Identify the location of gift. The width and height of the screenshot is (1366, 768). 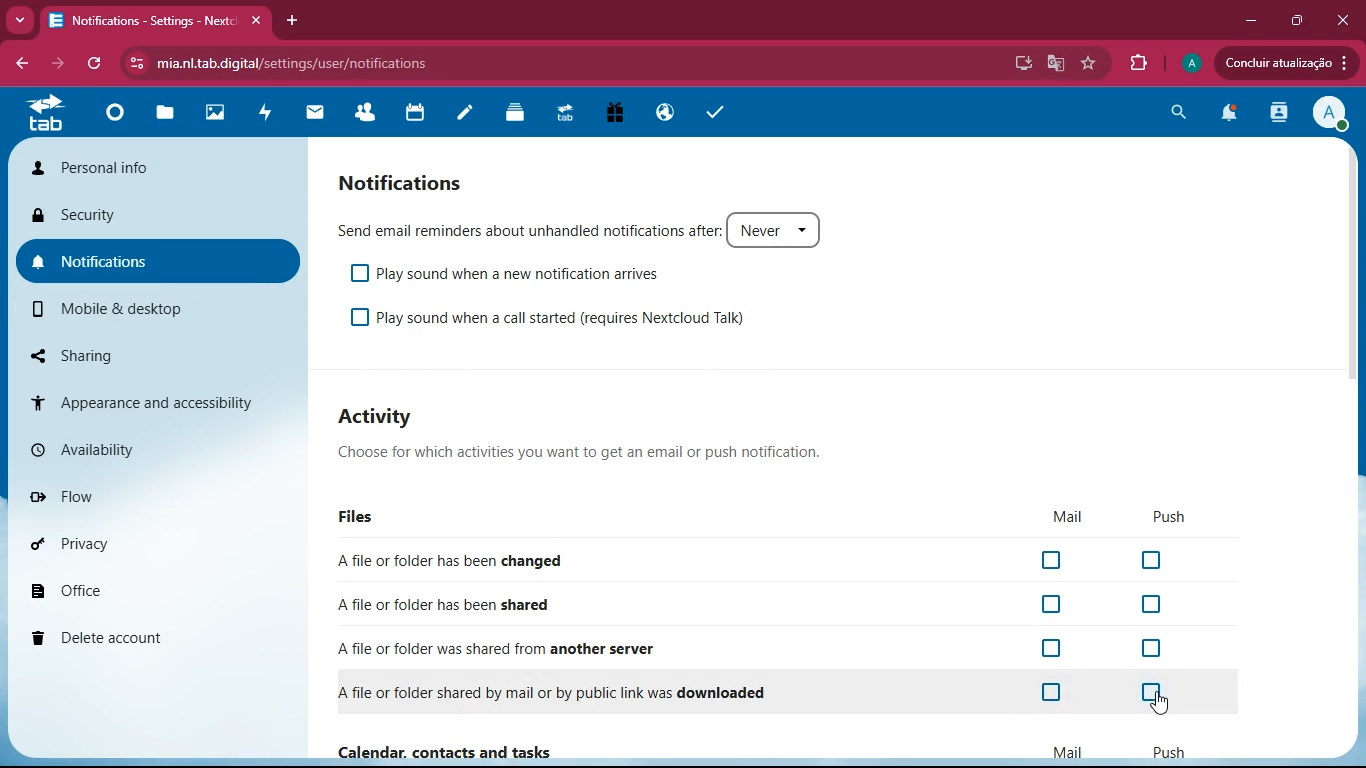
(609, 115).